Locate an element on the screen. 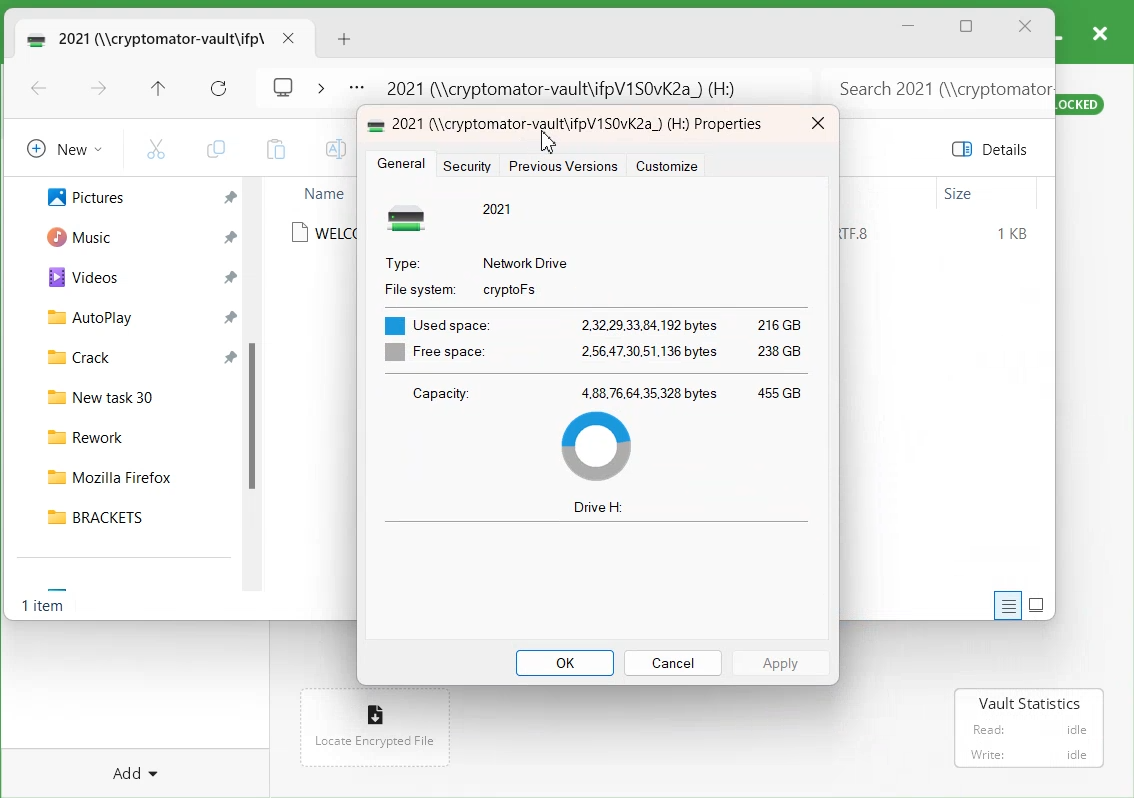 This screenshot has height=798, width=1134. full view is located at coordinates (1037, 604).